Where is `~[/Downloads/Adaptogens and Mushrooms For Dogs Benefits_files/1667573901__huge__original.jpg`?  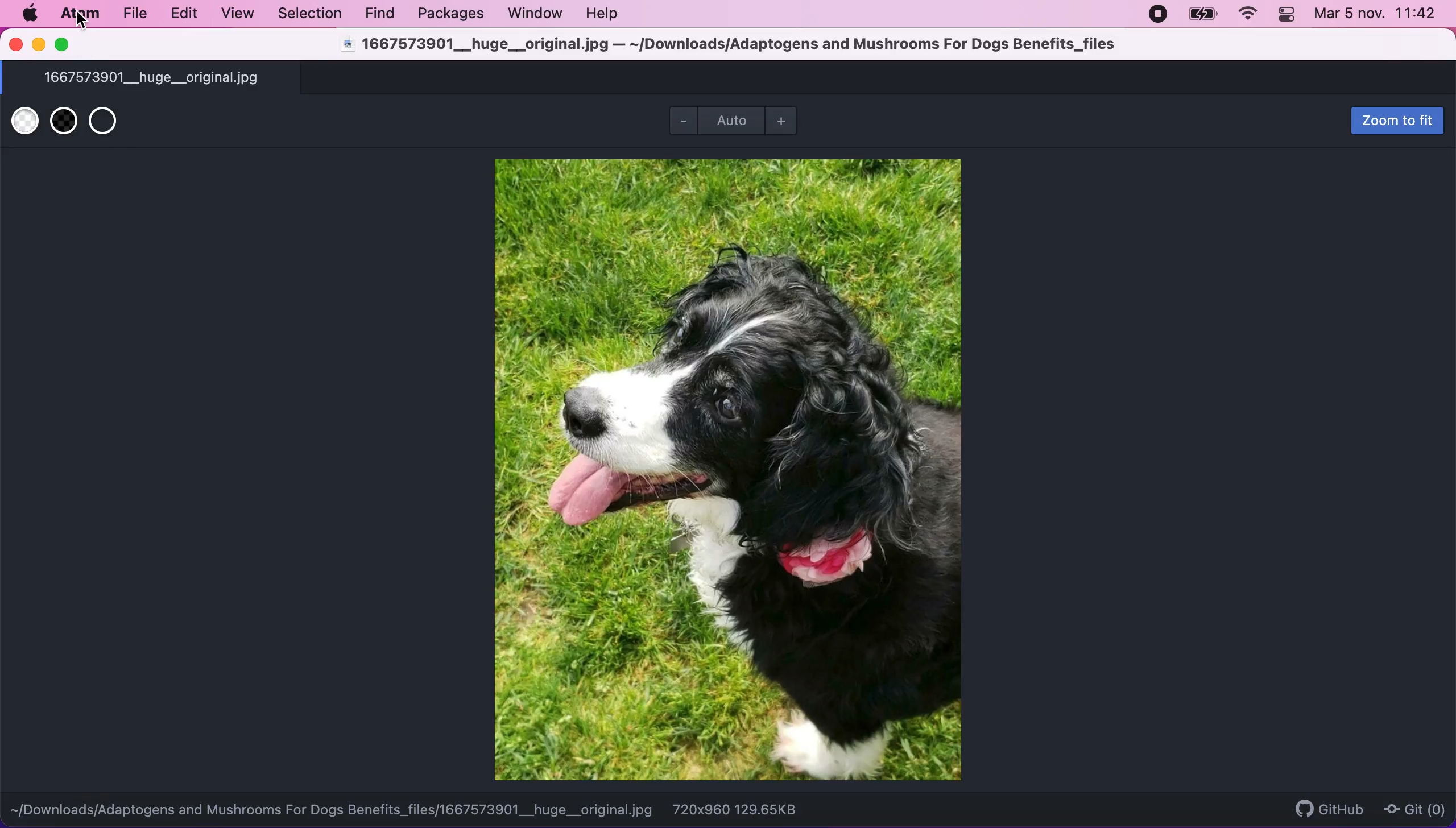
~[/Downloads/Adaptogens and Mushrooms For Dogs Benefits_files/1667573901__huge__original.jpg is located at coordinates (332, 810).